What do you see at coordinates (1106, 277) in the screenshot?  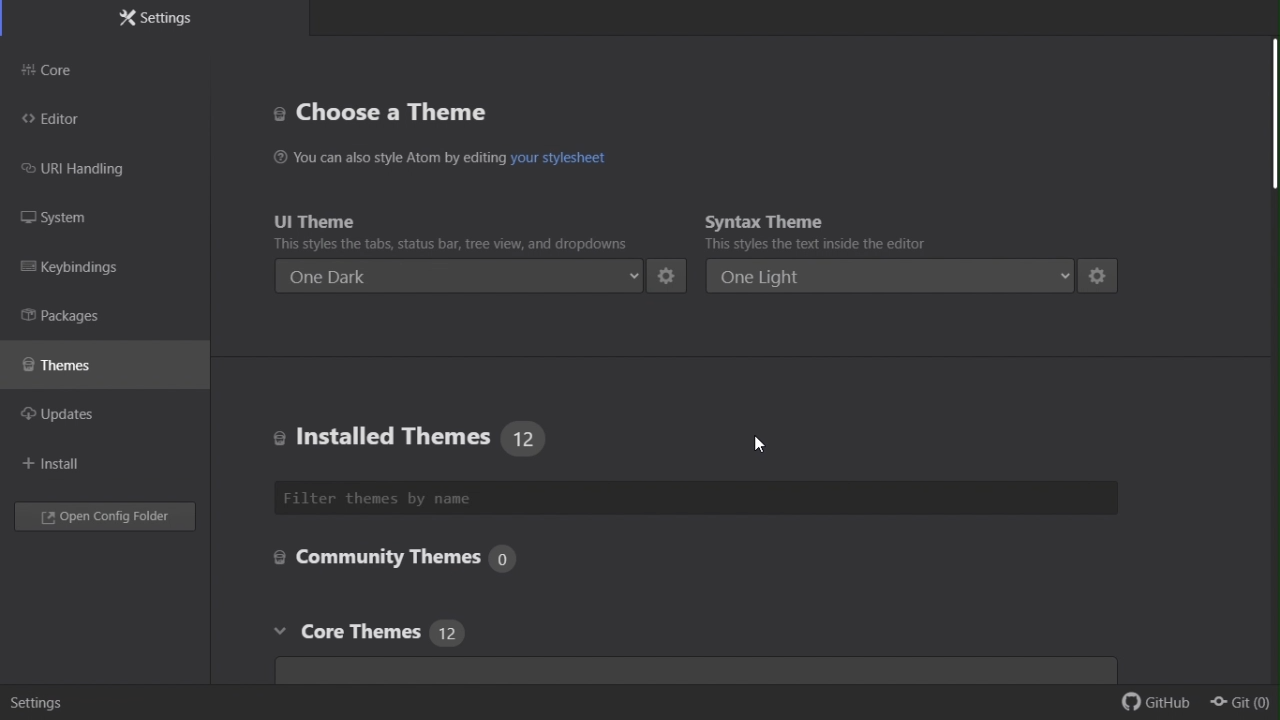 I see `settings` at bounding box center [1106, 277].